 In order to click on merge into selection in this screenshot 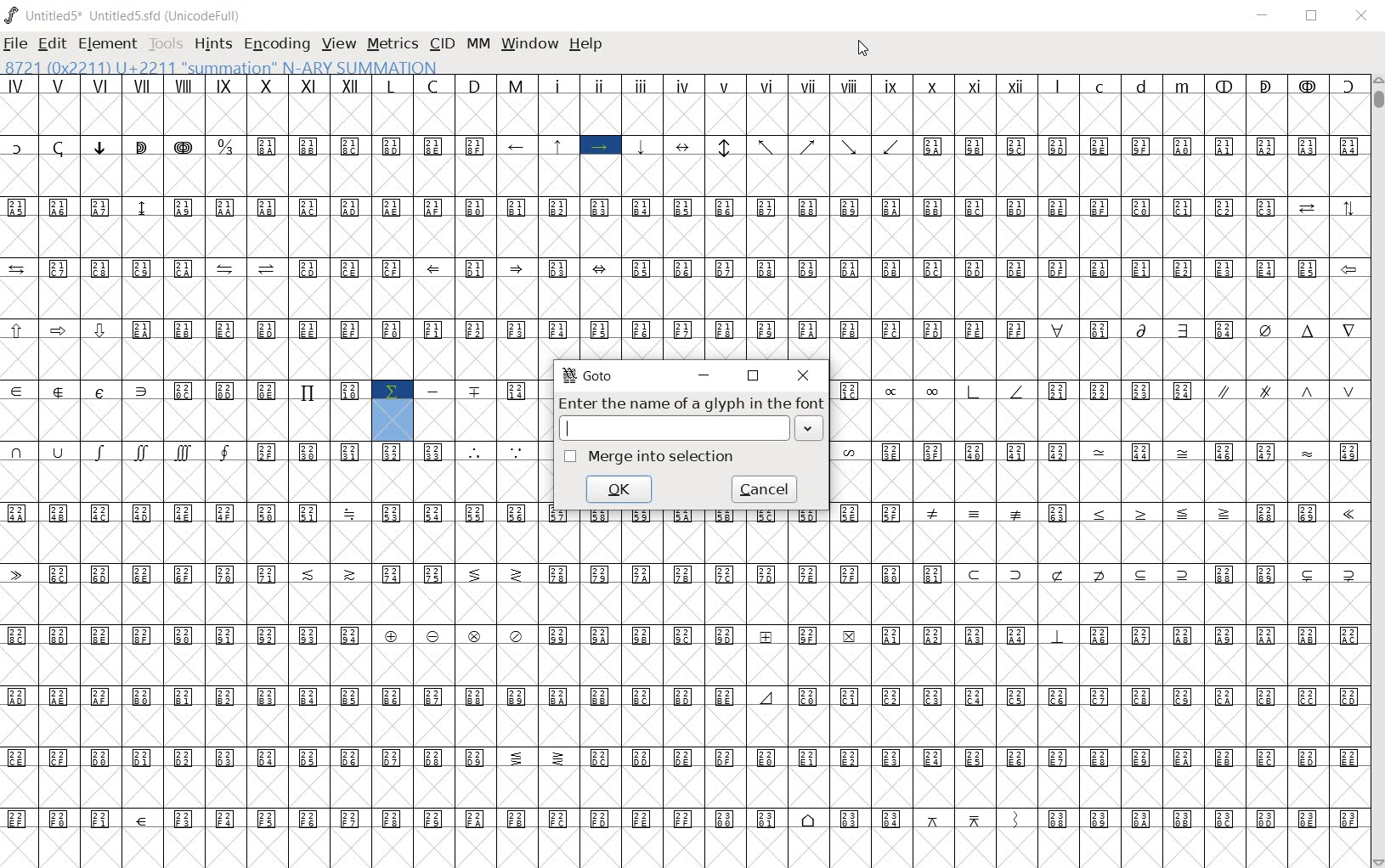, I will do `click(653, 457)`.